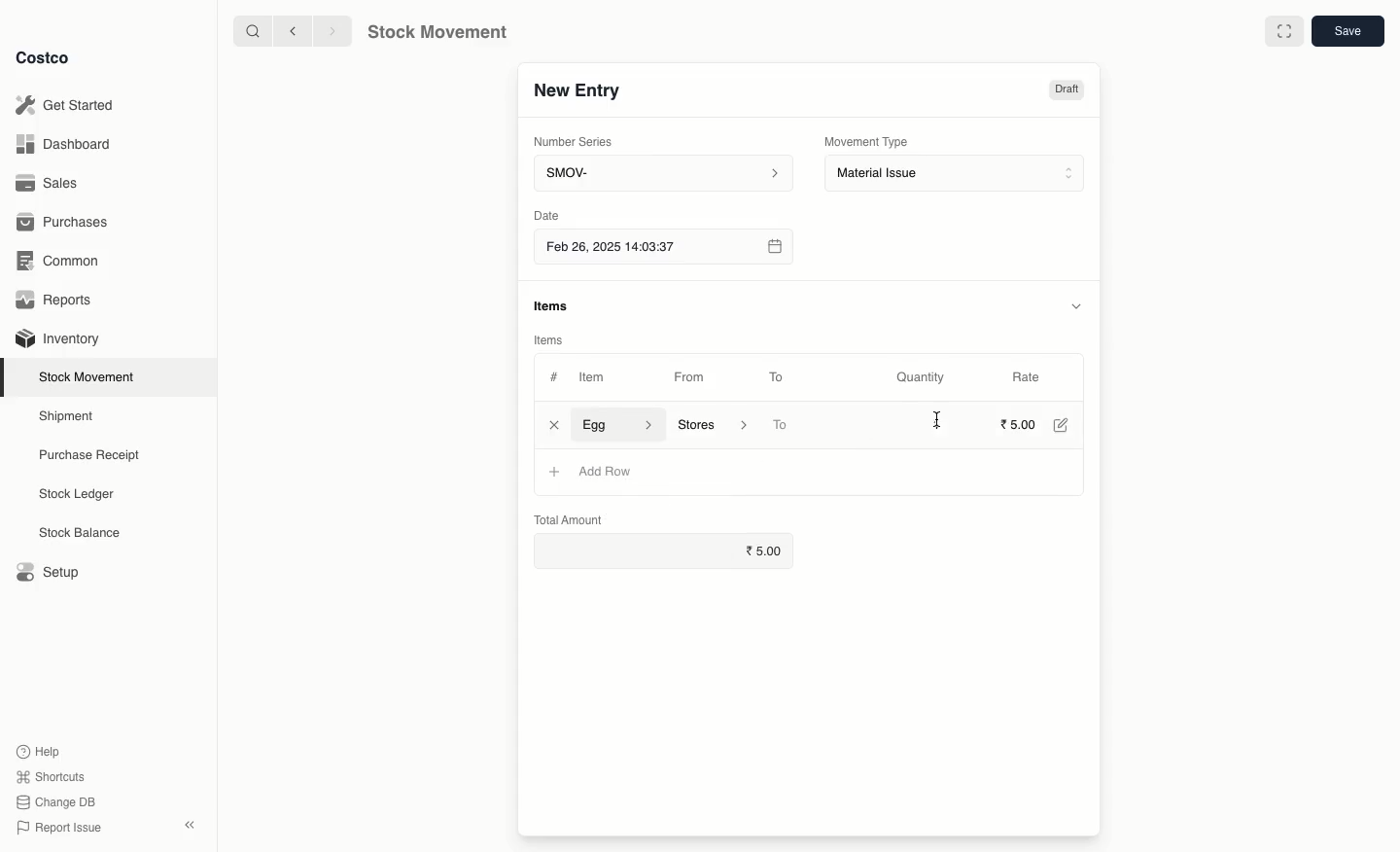 Image resolution: width=1400 pixels, height=852 pixels. I want to click on Full width toggle, so click(1285, 31).